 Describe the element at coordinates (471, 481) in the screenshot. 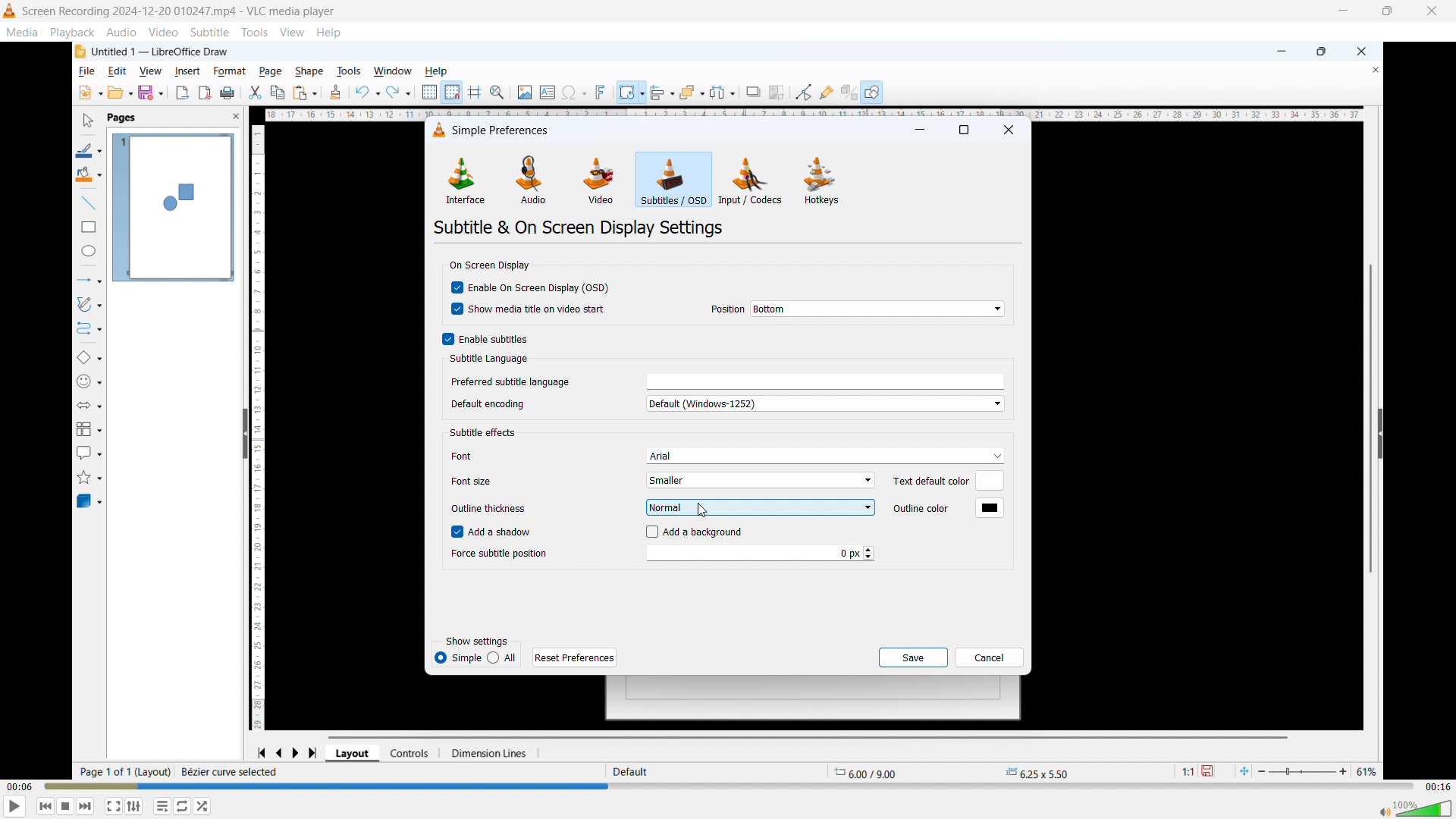

I see `Font size` at that location.